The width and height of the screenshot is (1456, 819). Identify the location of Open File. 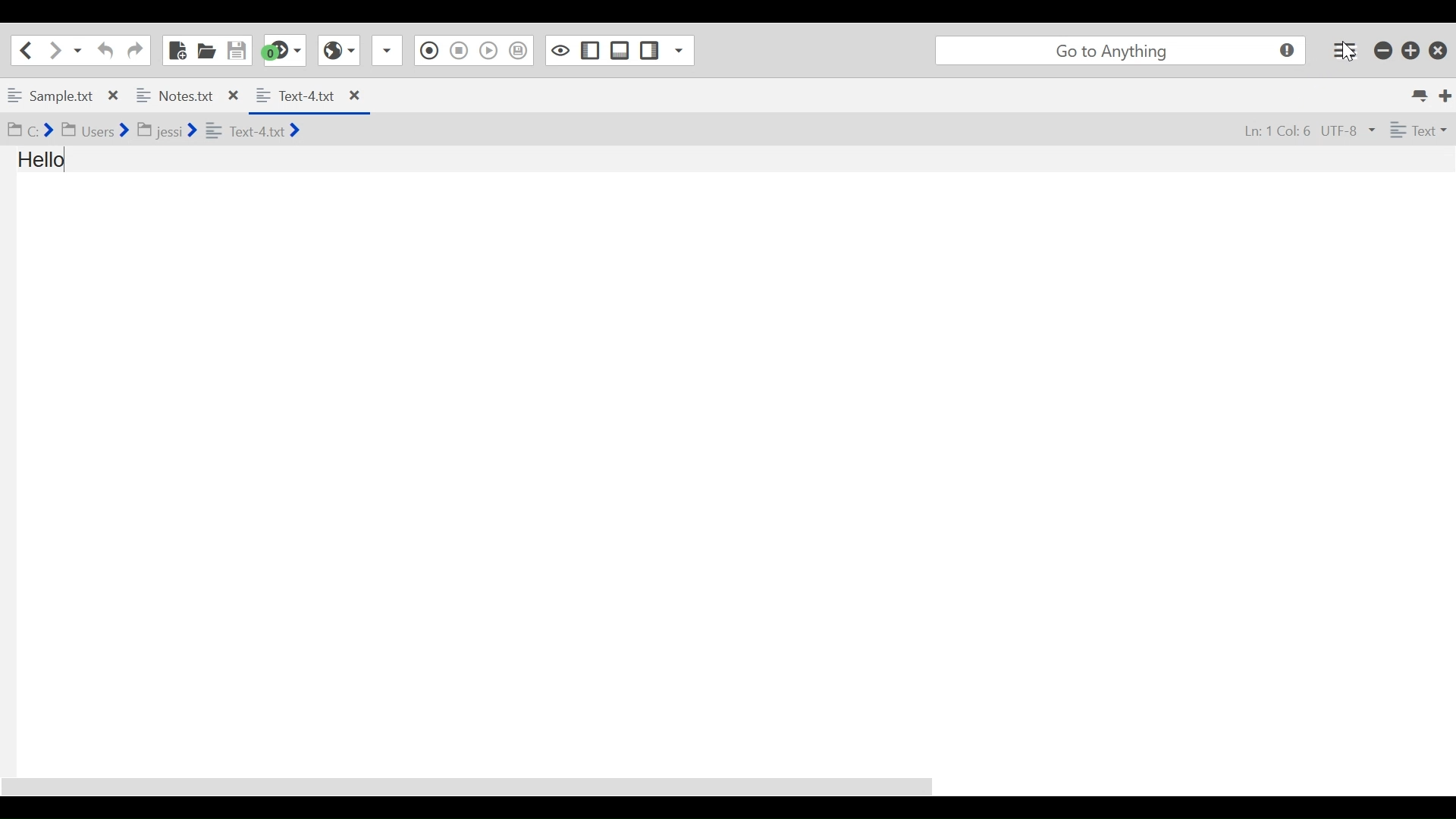
(206, 50).